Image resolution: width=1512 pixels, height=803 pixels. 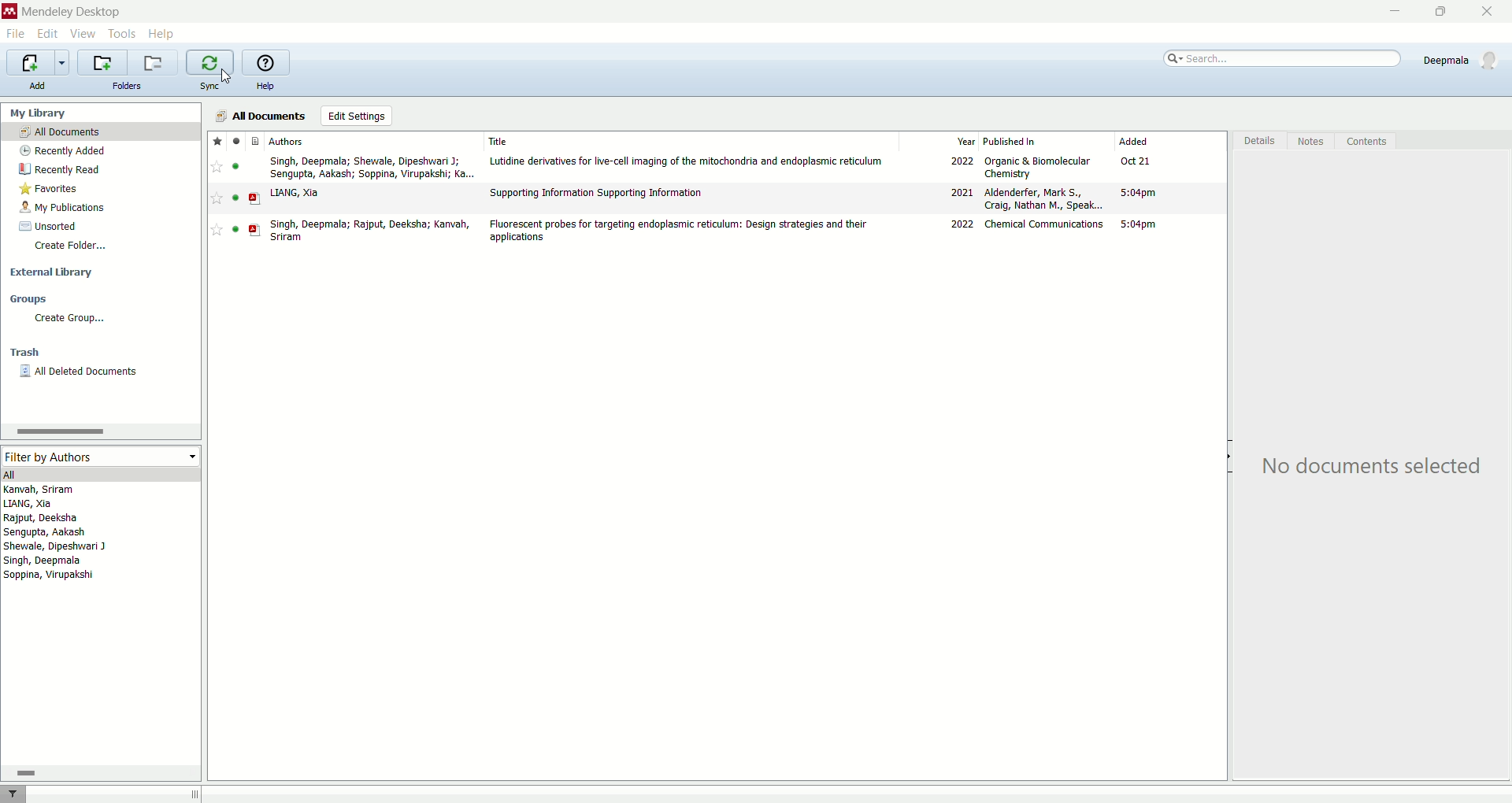 What do you see at coordinates (690, 161) in the screenshot?
I see `Lutidine derivatives for live-cell imaging of the mitochondria and endoplasmic reticulum` at bounding box center [690, 161].